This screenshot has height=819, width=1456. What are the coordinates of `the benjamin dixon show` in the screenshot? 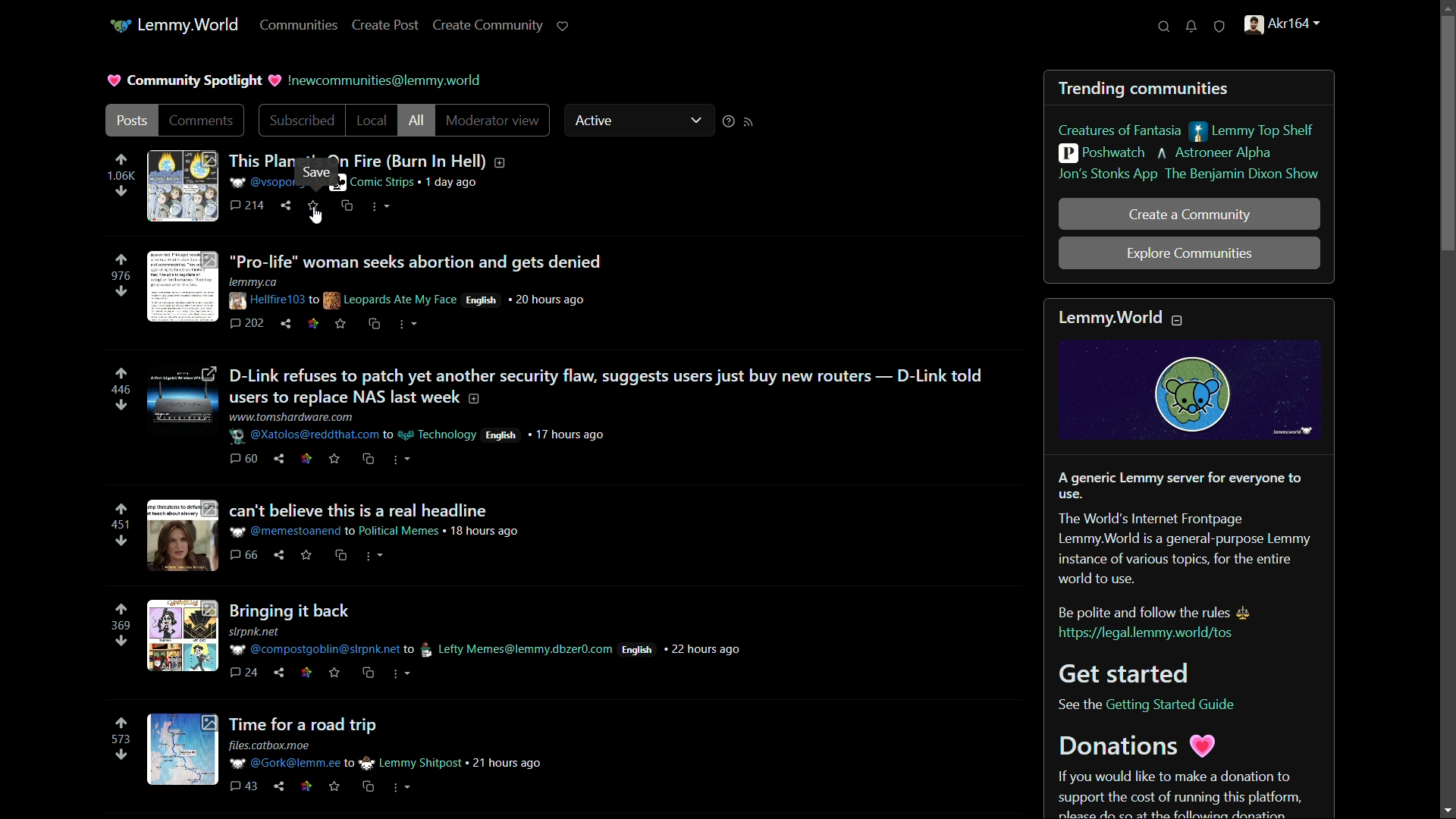 It's located at (1244, 176).